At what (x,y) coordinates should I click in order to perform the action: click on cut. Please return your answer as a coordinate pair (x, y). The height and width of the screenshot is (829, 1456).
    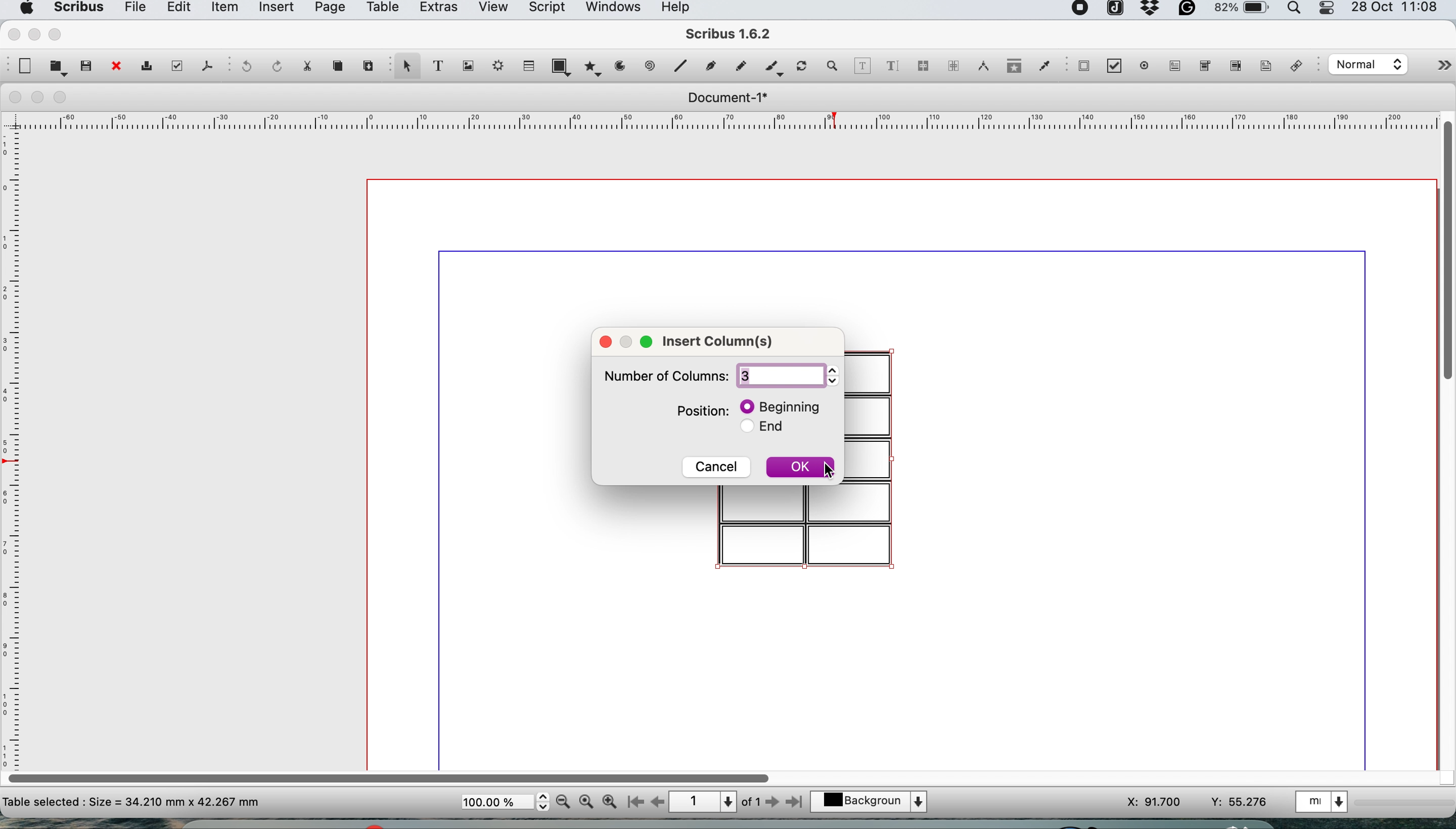
    Looking at the image, I should click on (306, 65).